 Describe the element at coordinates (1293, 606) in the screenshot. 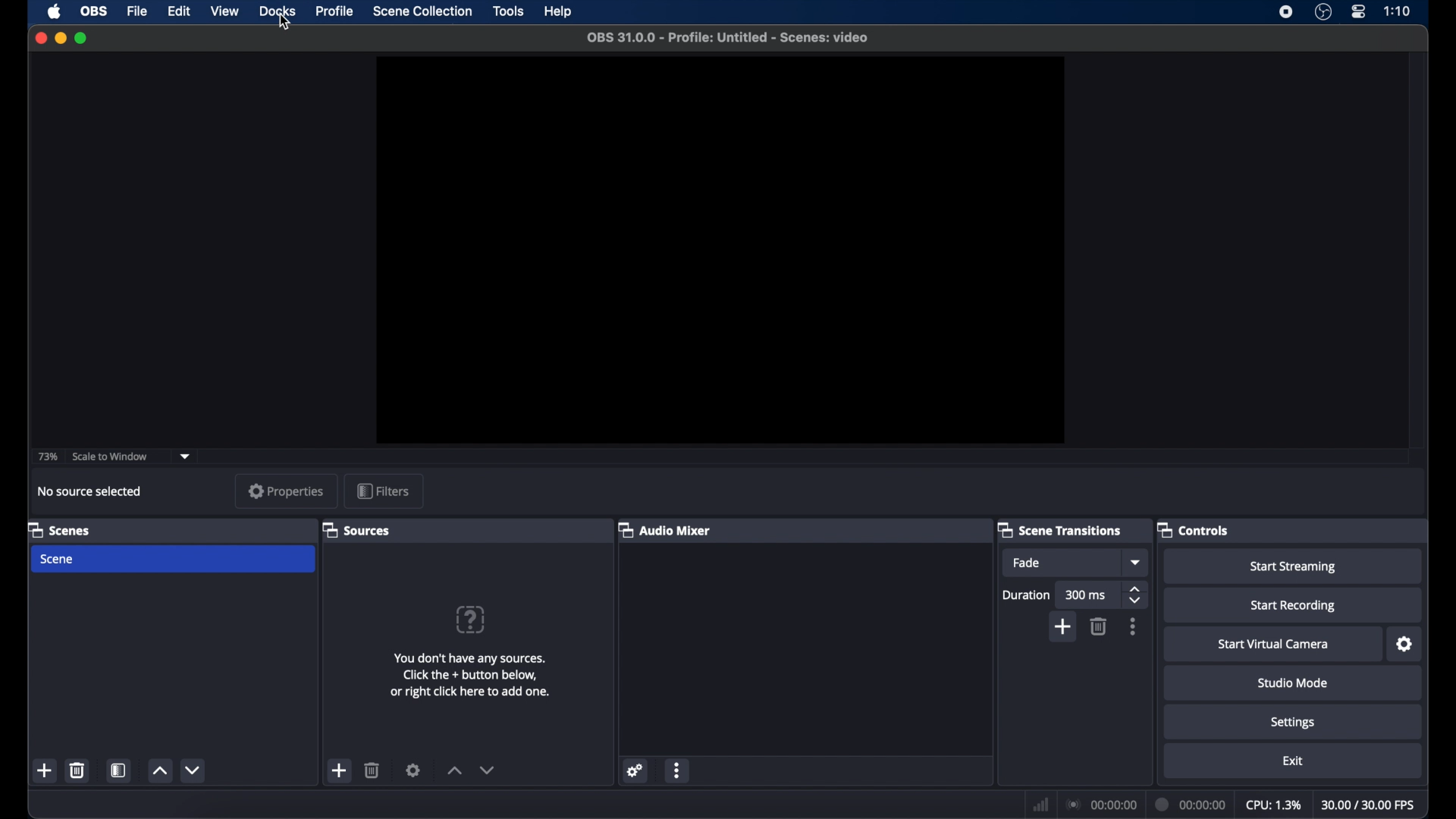

I see `start recording` at that location.